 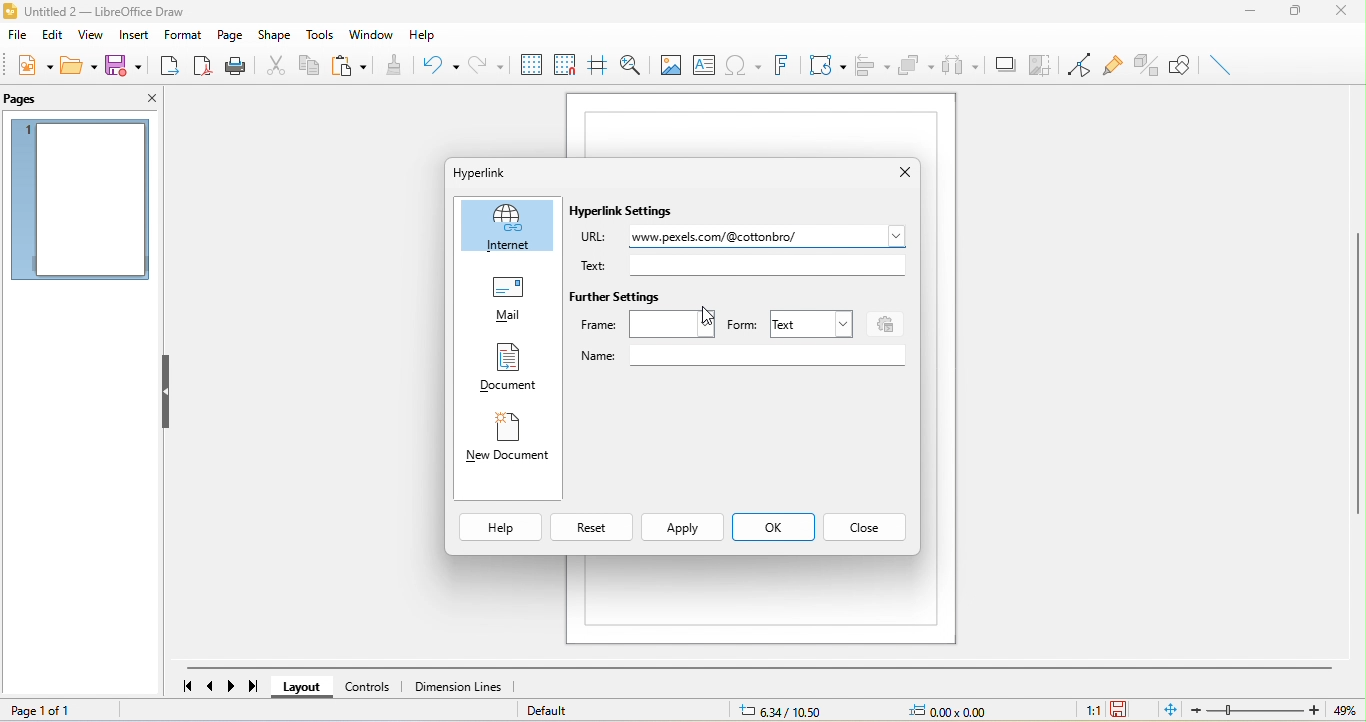 I want to click on last page, so click(x=256, y=688).